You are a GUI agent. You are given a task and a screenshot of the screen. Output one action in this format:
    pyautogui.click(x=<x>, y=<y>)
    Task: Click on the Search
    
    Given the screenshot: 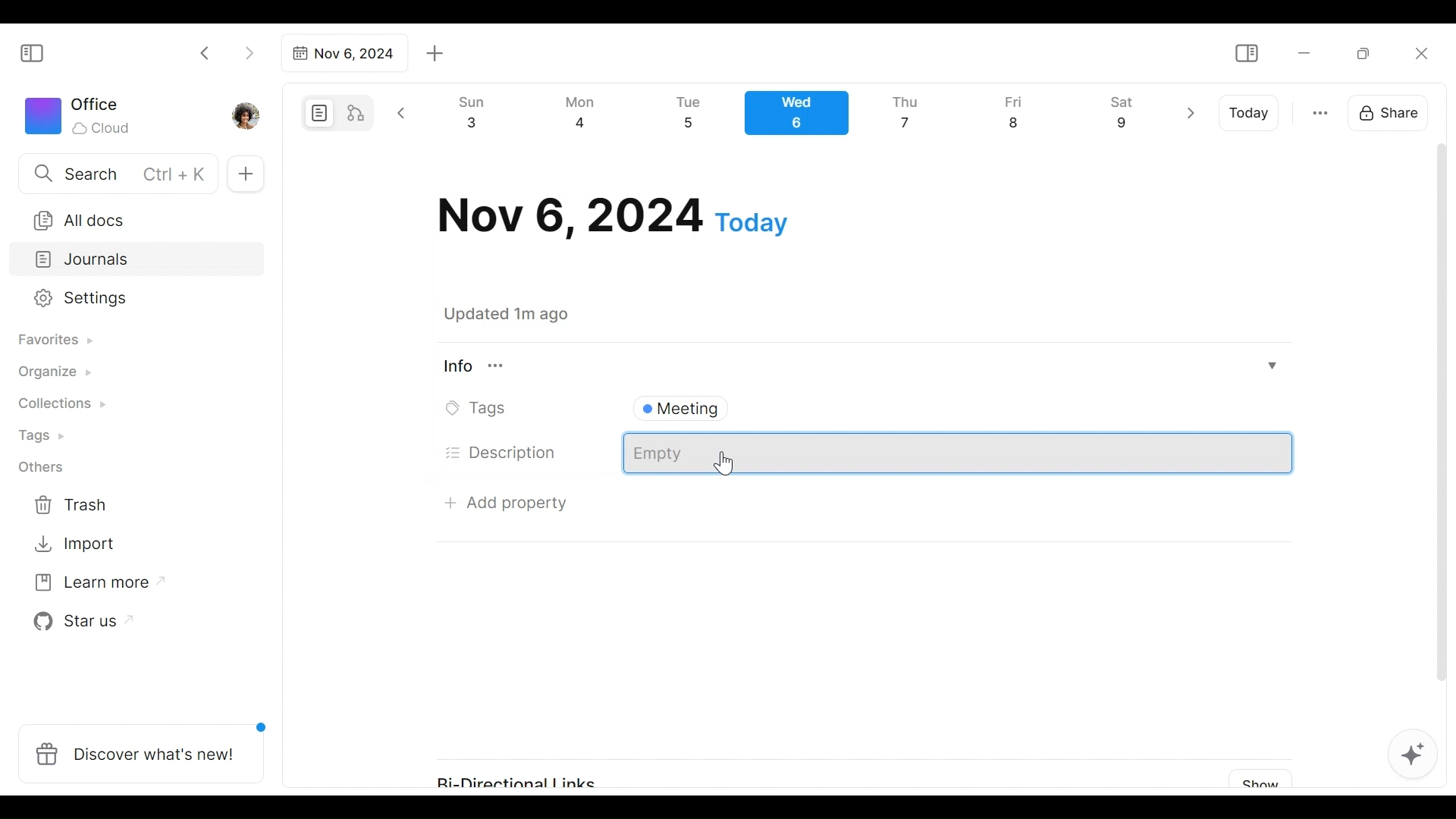 What is the action you would take?
    pyautogui.click(x=116, y=173)
    